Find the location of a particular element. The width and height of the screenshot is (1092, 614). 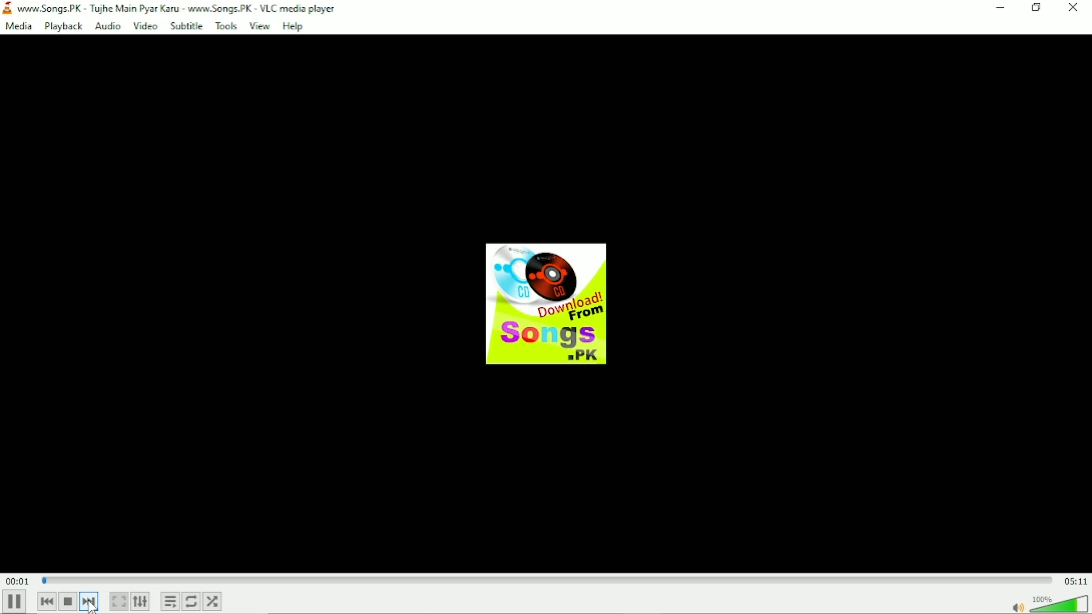

Audio track is located at coordinates (546, 303).